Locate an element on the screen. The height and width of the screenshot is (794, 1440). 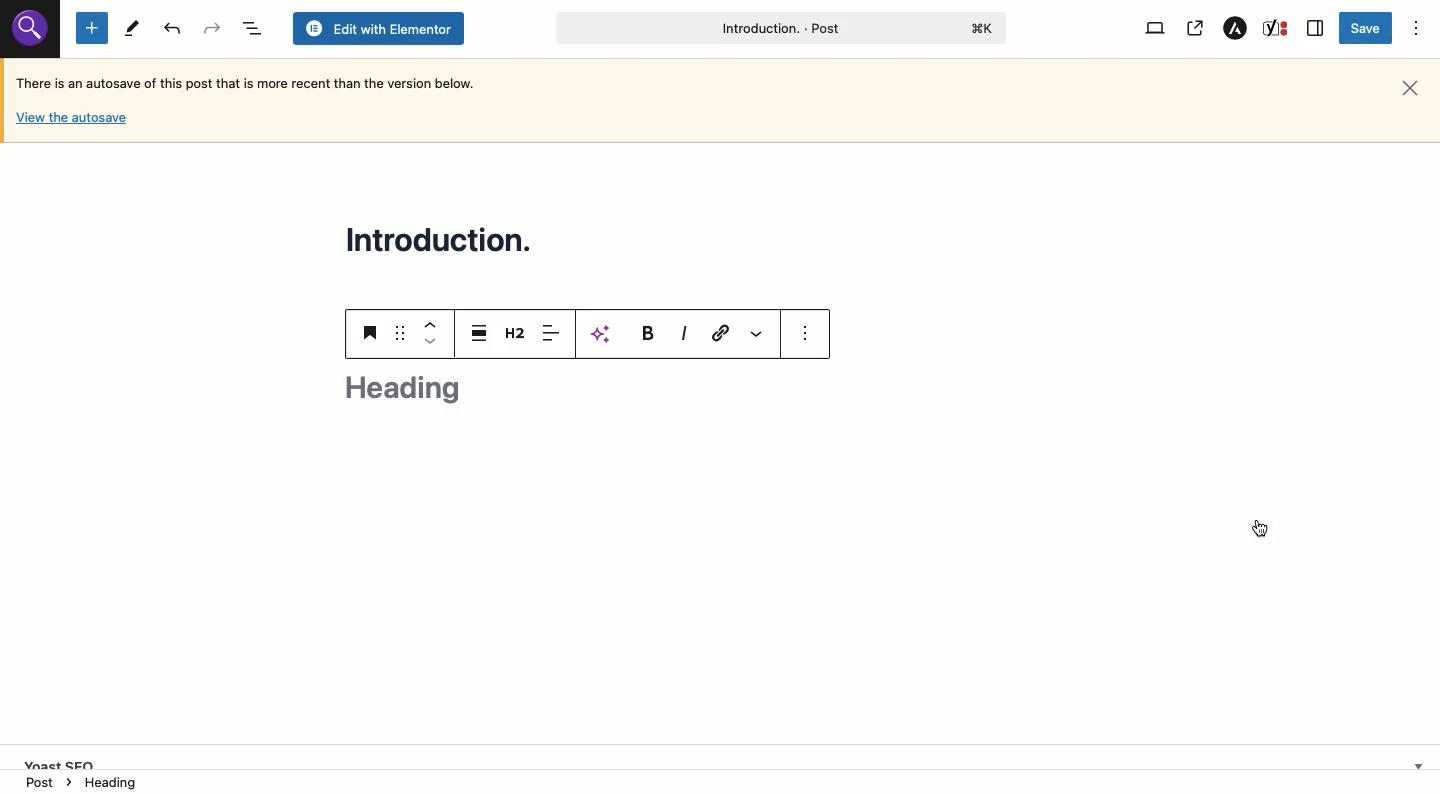
Move up down is located at coordinates (428, 332).